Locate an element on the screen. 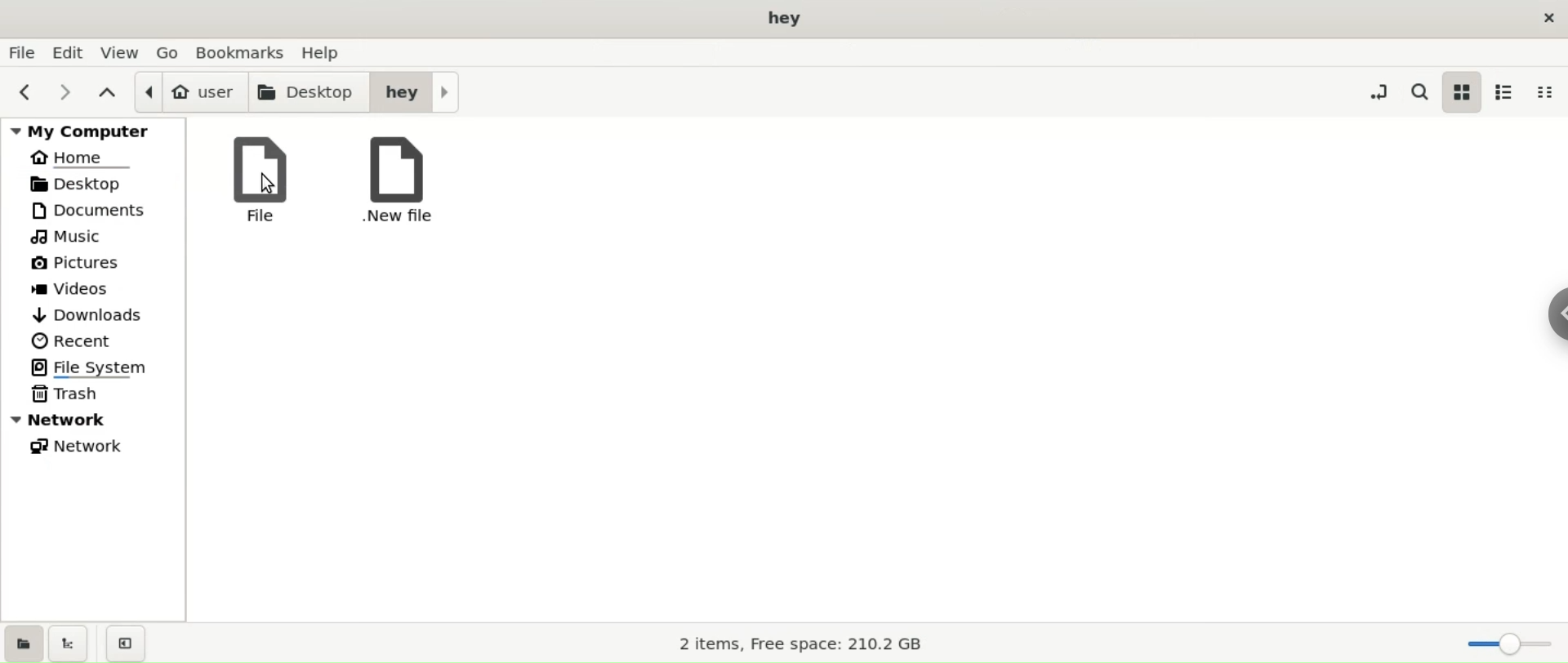 The image size is (1568, 663). storage is located at coordinates (804, 646).